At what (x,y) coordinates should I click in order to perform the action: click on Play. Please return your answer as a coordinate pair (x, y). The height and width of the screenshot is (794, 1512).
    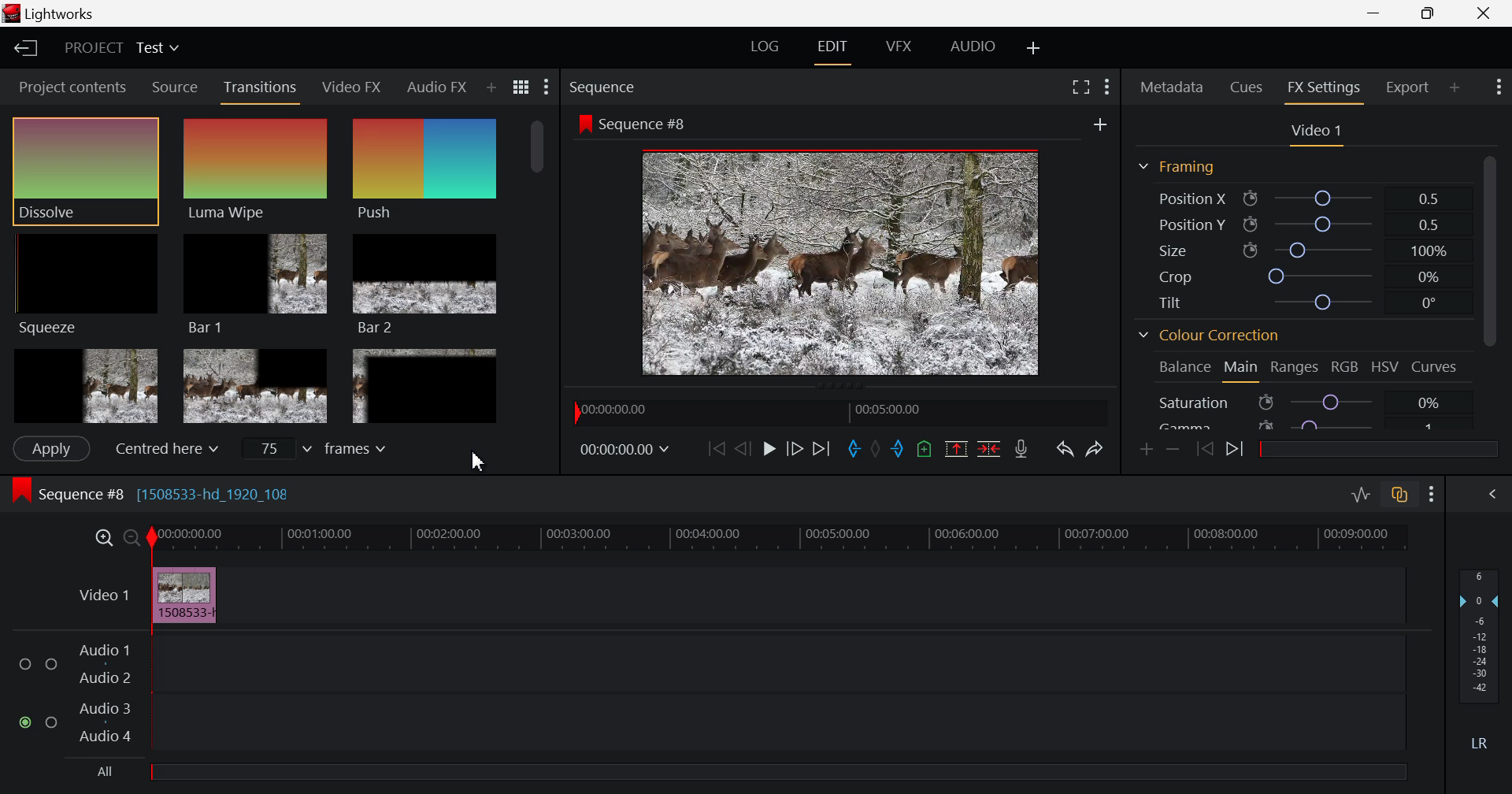
    Looking at the image, I should click on (765, 447).